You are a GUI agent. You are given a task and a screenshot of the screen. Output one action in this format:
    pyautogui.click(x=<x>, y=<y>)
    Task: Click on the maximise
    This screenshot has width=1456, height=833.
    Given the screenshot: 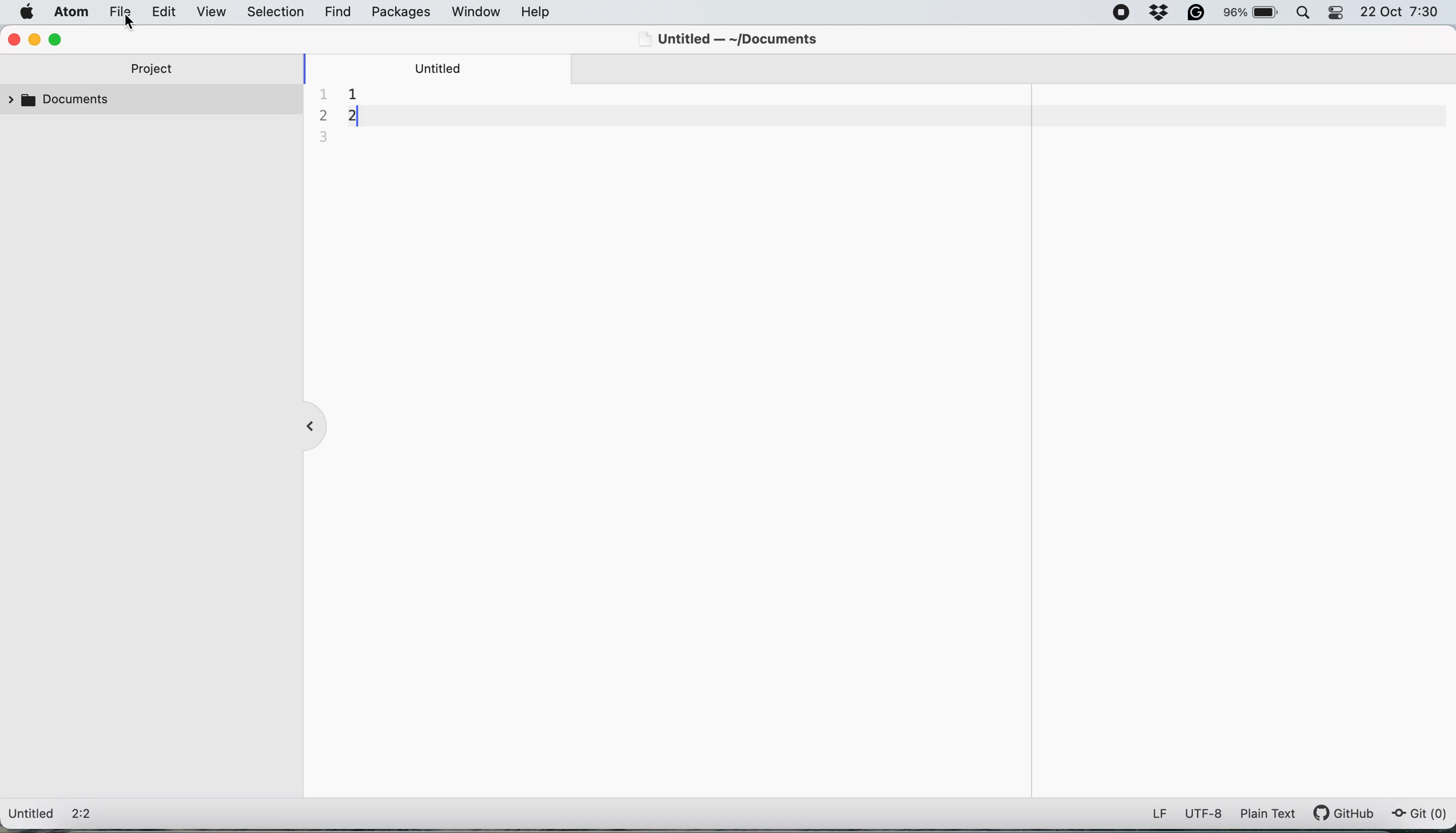 What is the action you would take?
    pyautogui.click(x=56, y=38)
    